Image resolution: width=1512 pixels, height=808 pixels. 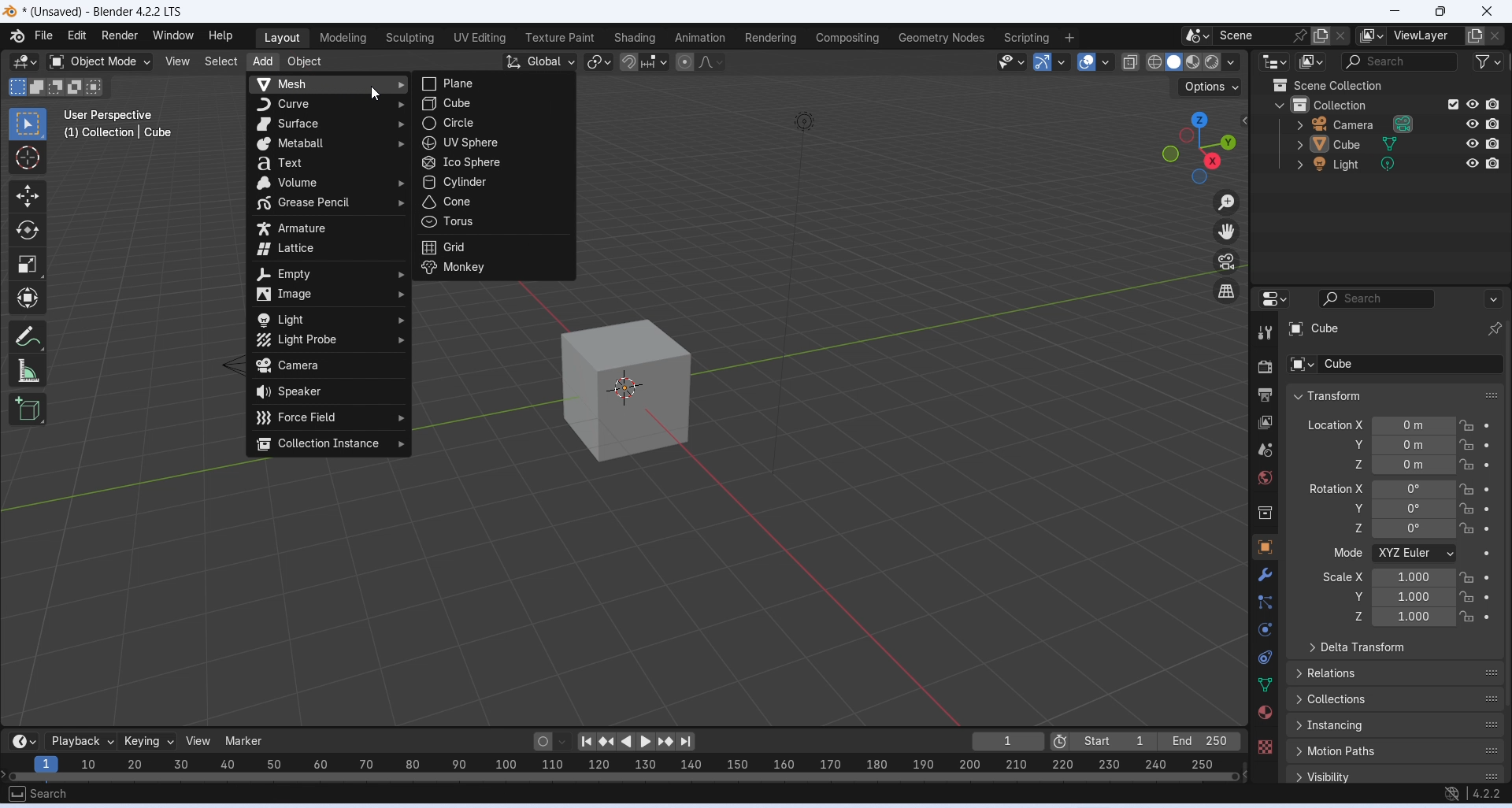 What do you see at coordinates (620, 766) in the screenshot?
I see `scale` at bounding box center [620, 766].